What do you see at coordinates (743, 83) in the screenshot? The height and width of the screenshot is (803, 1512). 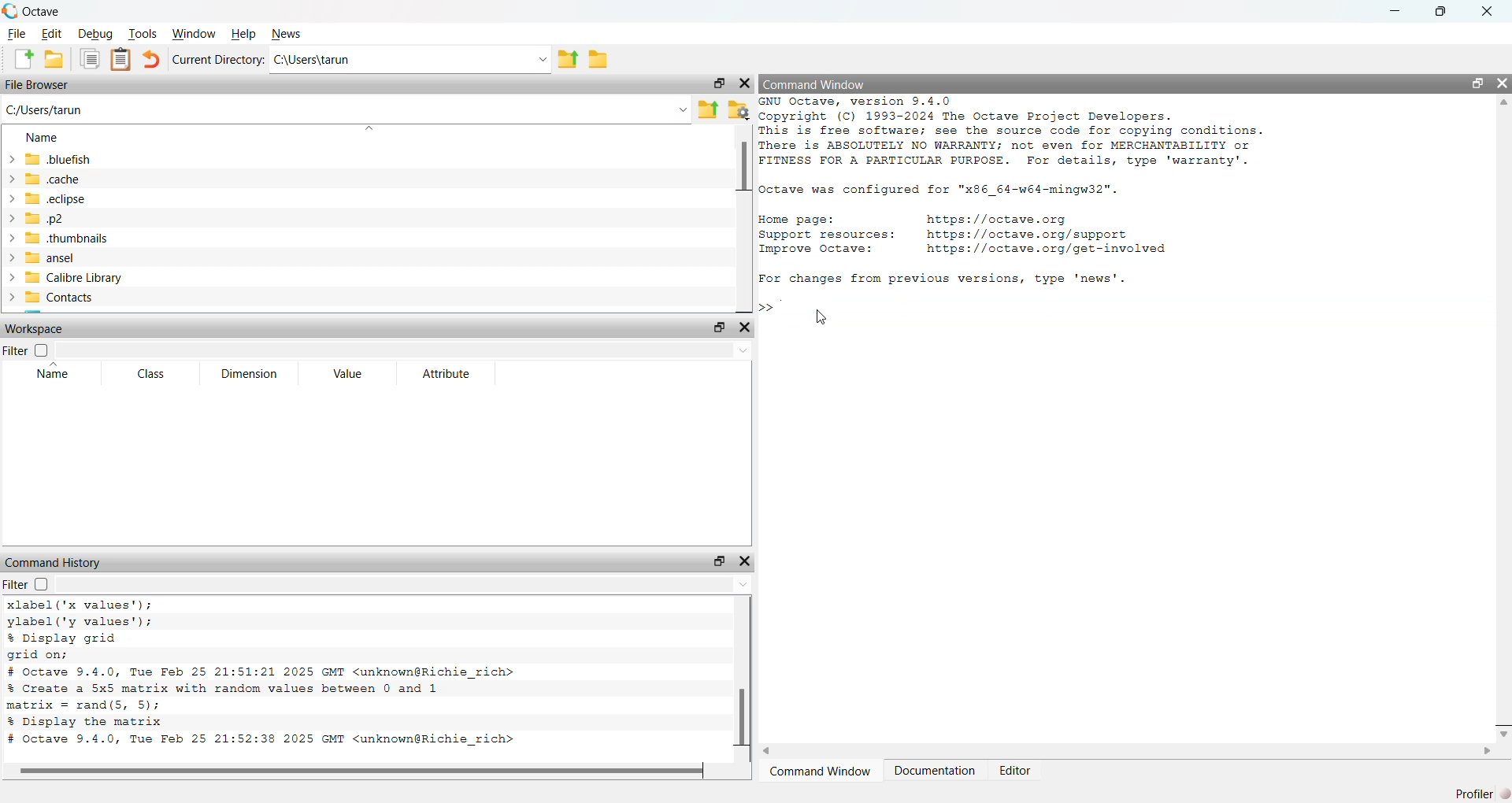 I see `close` at bounding box center [743, 83].